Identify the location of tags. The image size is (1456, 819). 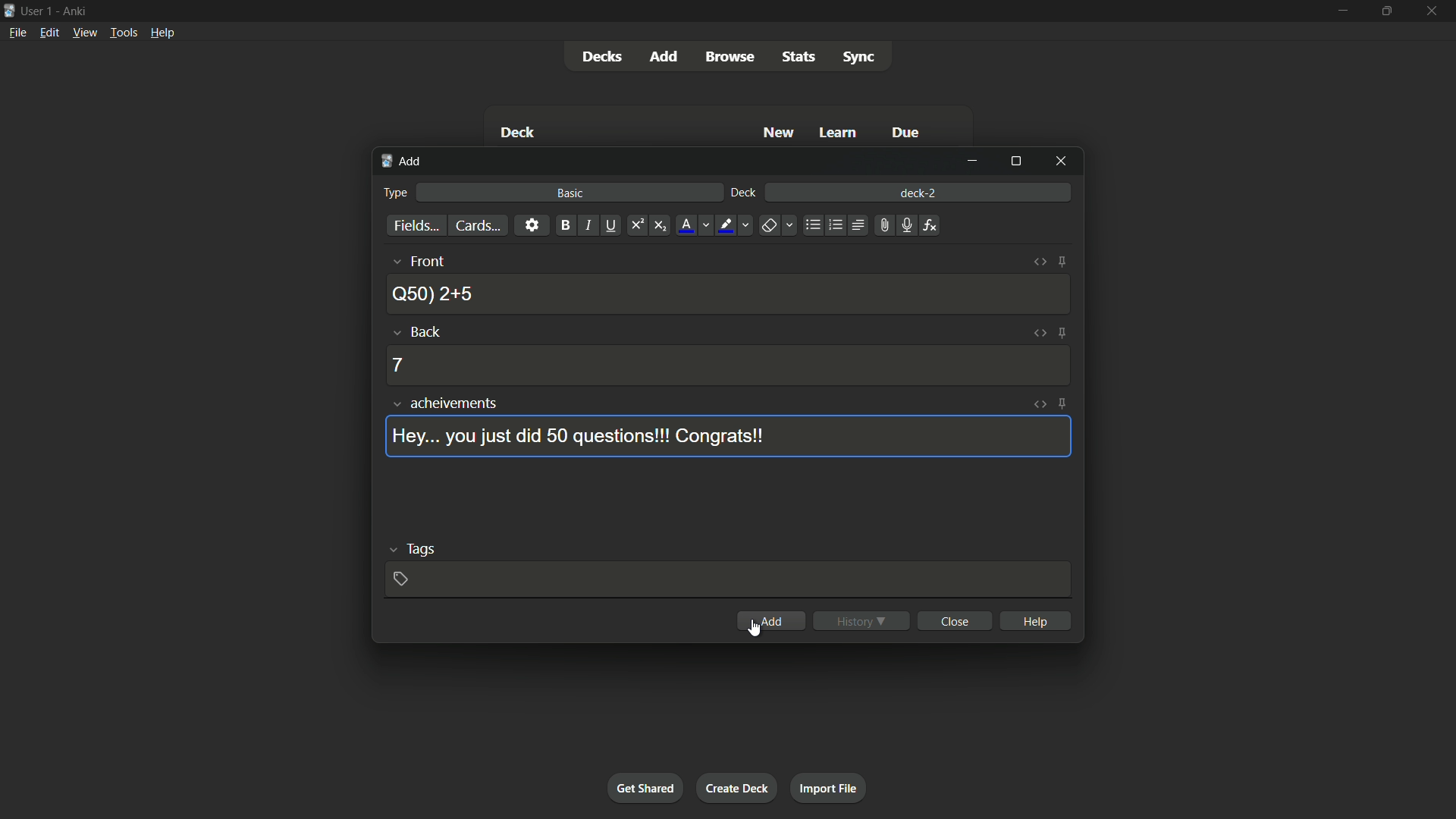
(412, 548).